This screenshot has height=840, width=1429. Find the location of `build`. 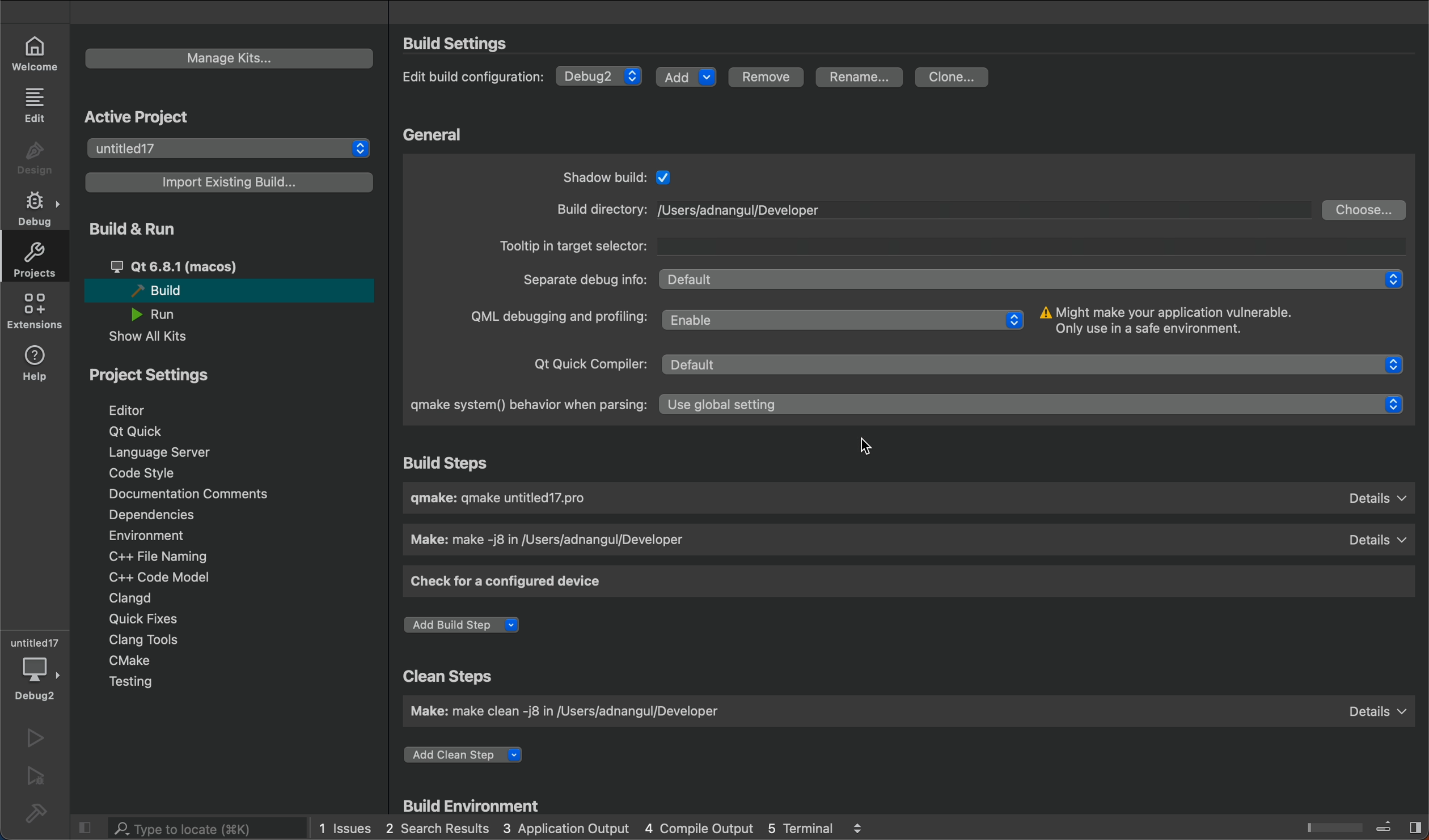

build is located at coordinates (38, 813).